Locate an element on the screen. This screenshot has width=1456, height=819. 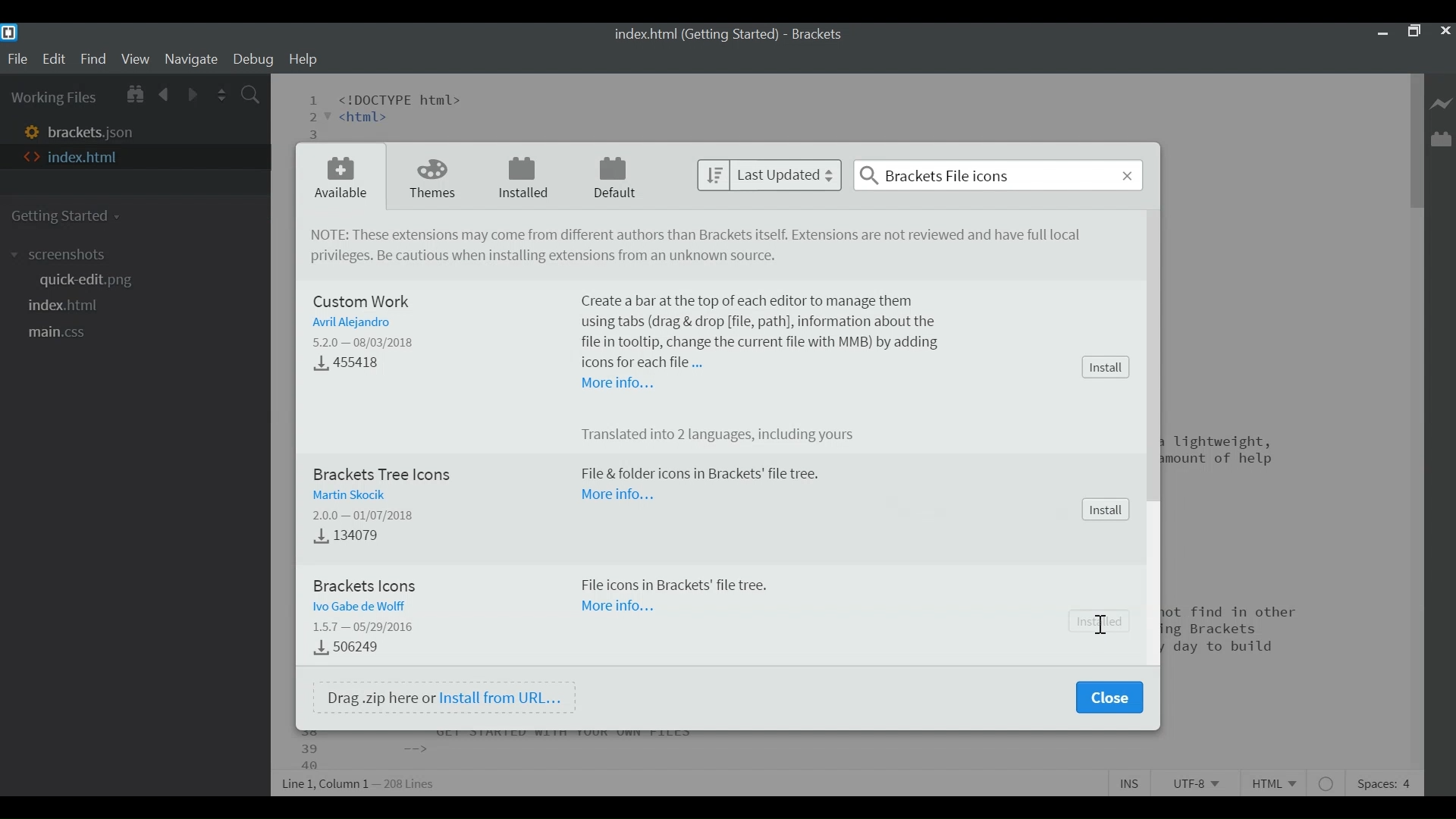
minimize is located at coordinates (1382, 33).